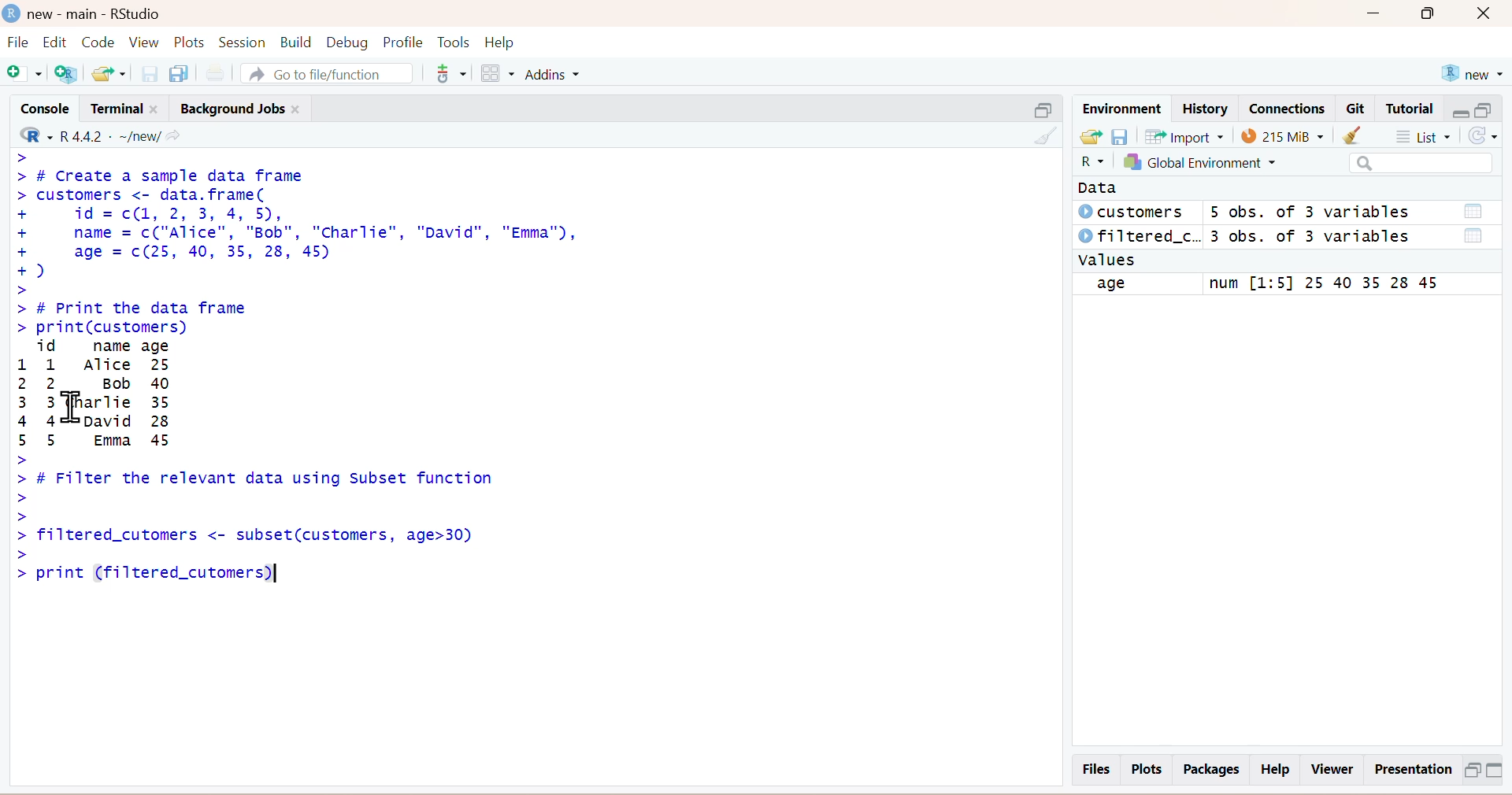  Describe the element at coordinates (129, 393) in the screenshot. I see `id name age 1 1 Alice 22 Bob 40 Charlie 35David 285 5 Emma 45>>` at that location.